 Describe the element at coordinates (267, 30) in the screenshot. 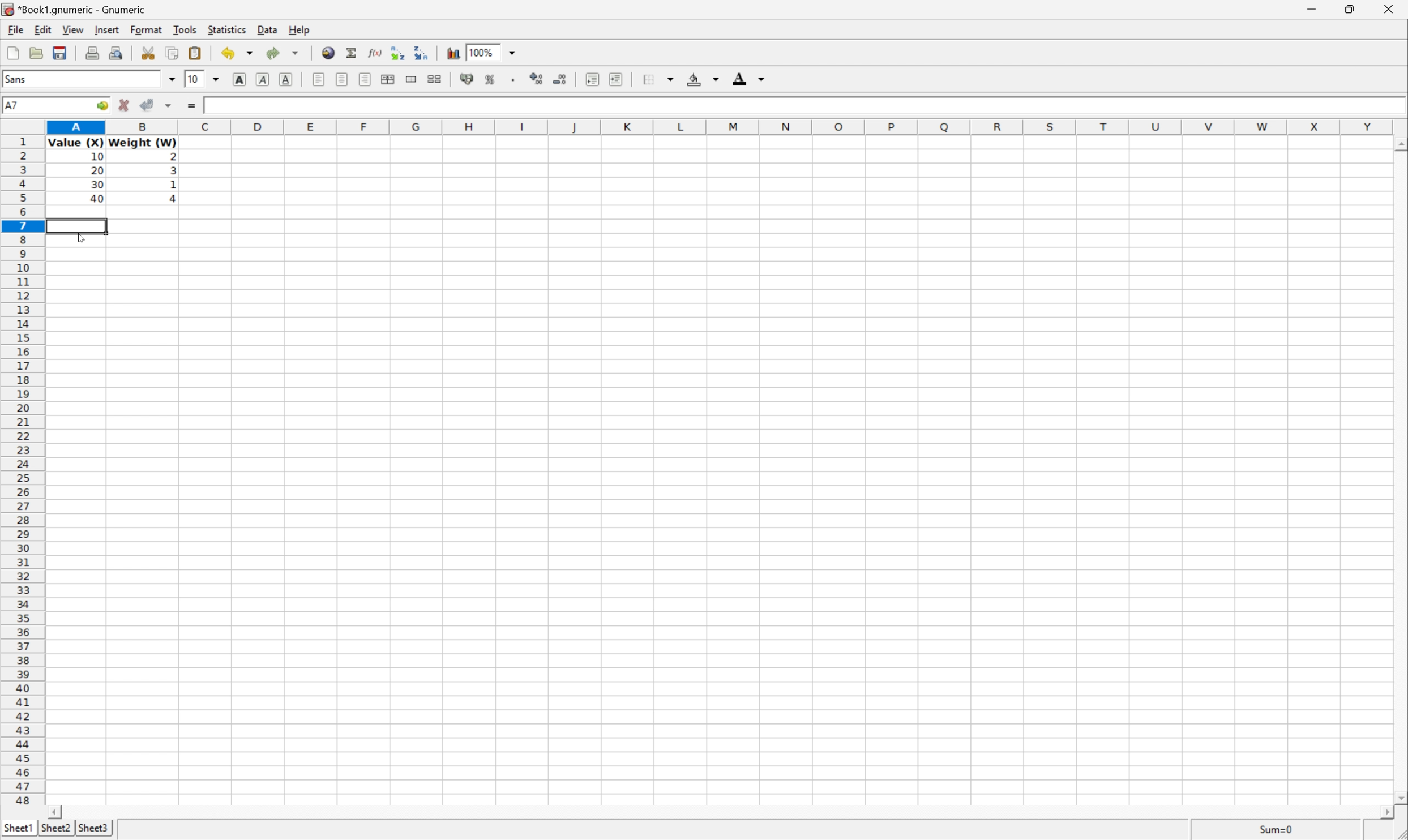

I see `Data` at that location.